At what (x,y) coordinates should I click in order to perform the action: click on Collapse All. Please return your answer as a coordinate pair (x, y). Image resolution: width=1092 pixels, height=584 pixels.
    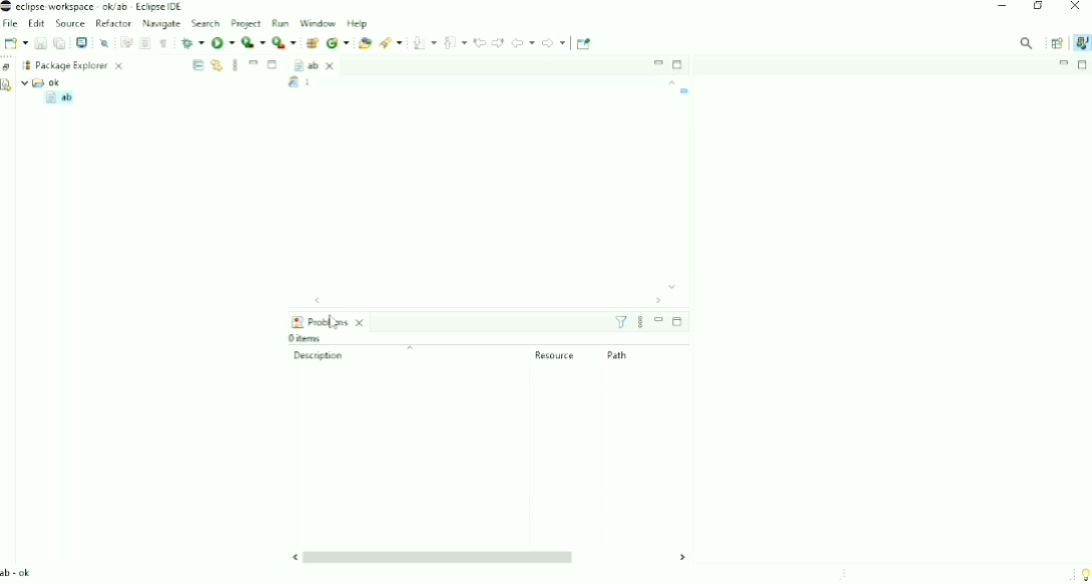
    Looking at the image, I should click on (197, 65).